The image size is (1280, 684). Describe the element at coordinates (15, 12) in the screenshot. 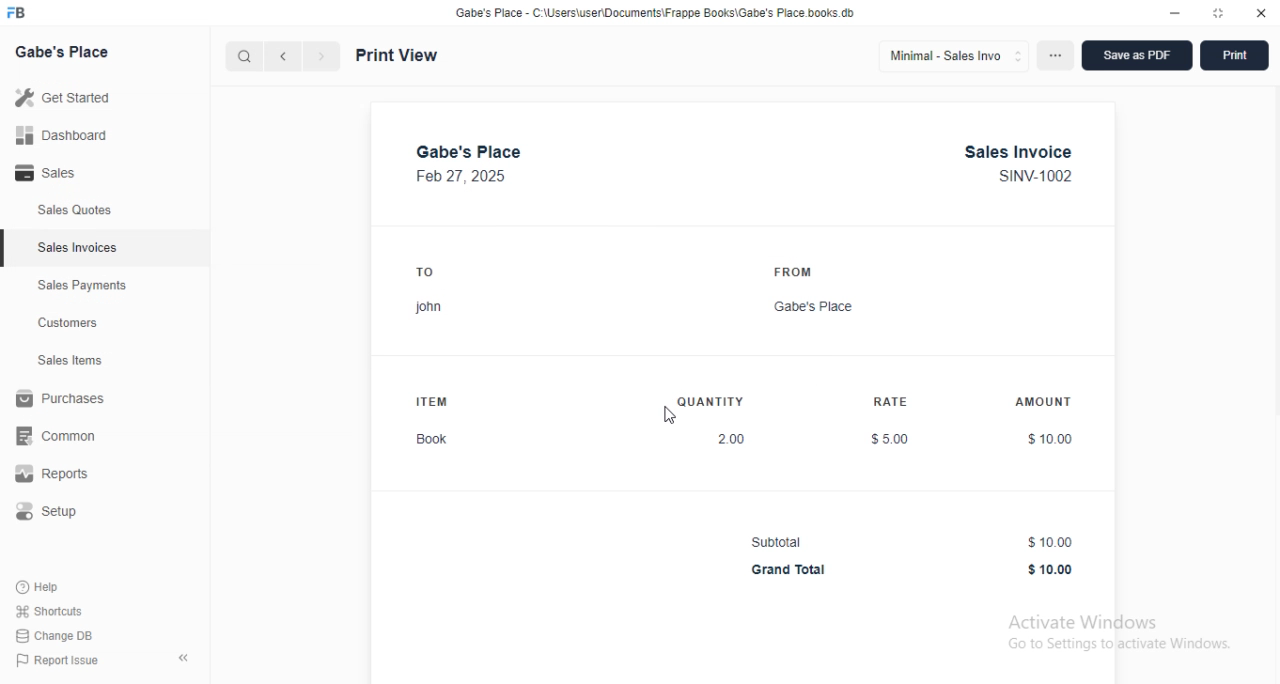

I see `FB-logo` at that location.